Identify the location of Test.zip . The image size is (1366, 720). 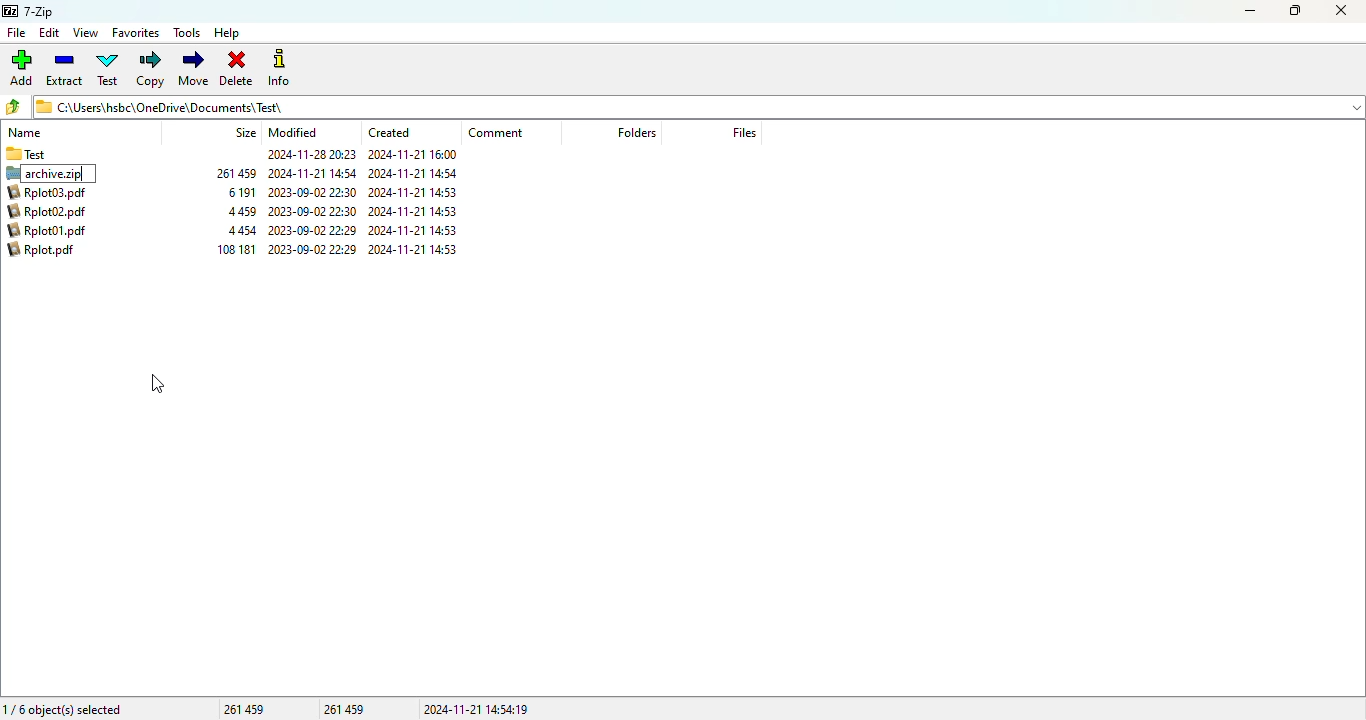
(52, 173).